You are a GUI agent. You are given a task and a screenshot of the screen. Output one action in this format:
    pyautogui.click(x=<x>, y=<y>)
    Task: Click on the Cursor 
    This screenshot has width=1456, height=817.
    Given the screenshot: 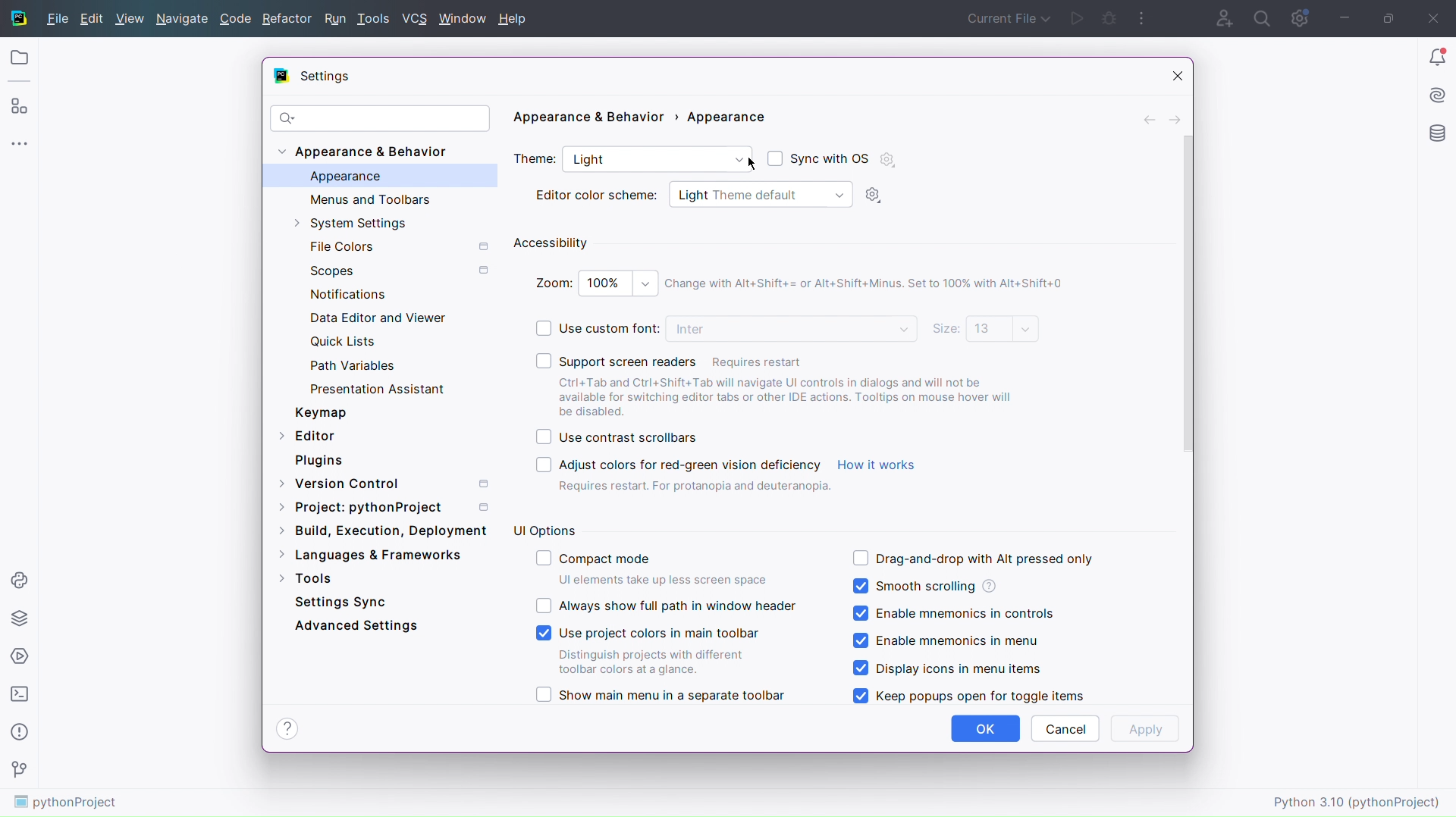 What is the action you would take?
    pyautogui.click(x=753, y=163)
    